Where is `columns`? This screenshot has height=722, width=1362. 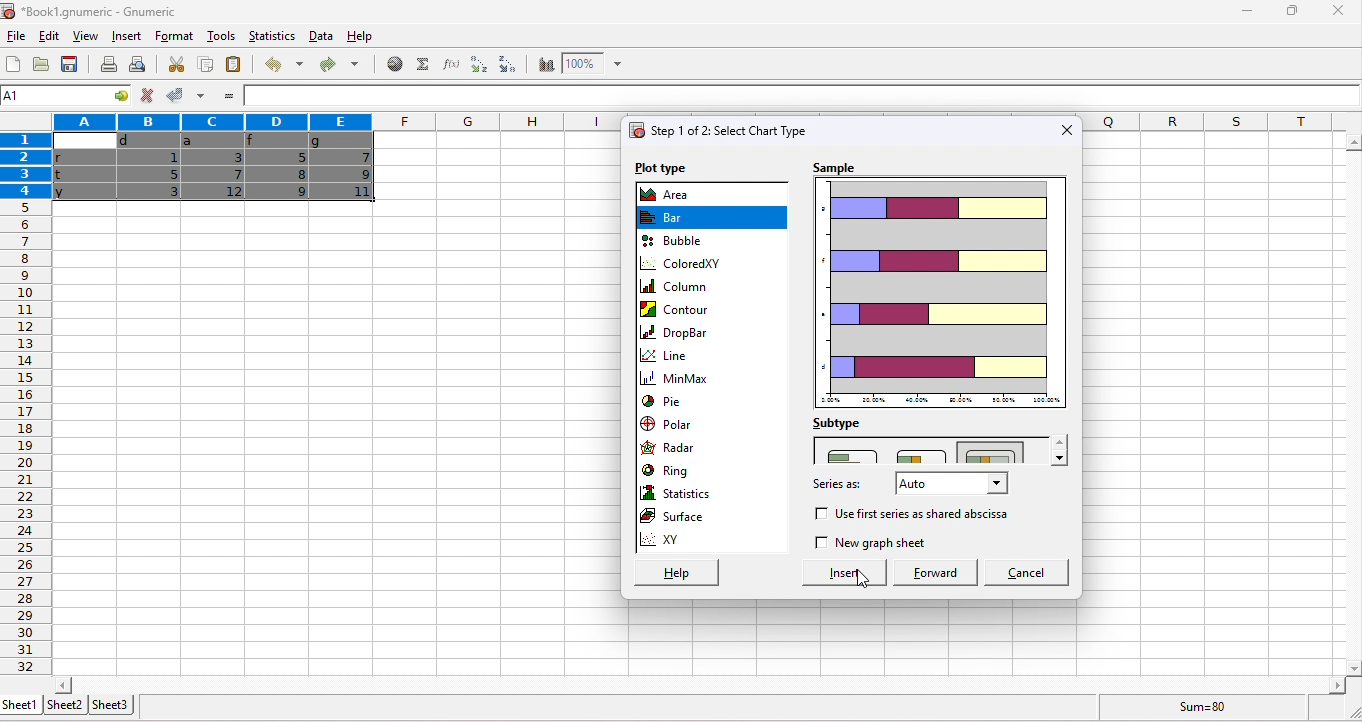 columns is located at coordinates (1208, 125).